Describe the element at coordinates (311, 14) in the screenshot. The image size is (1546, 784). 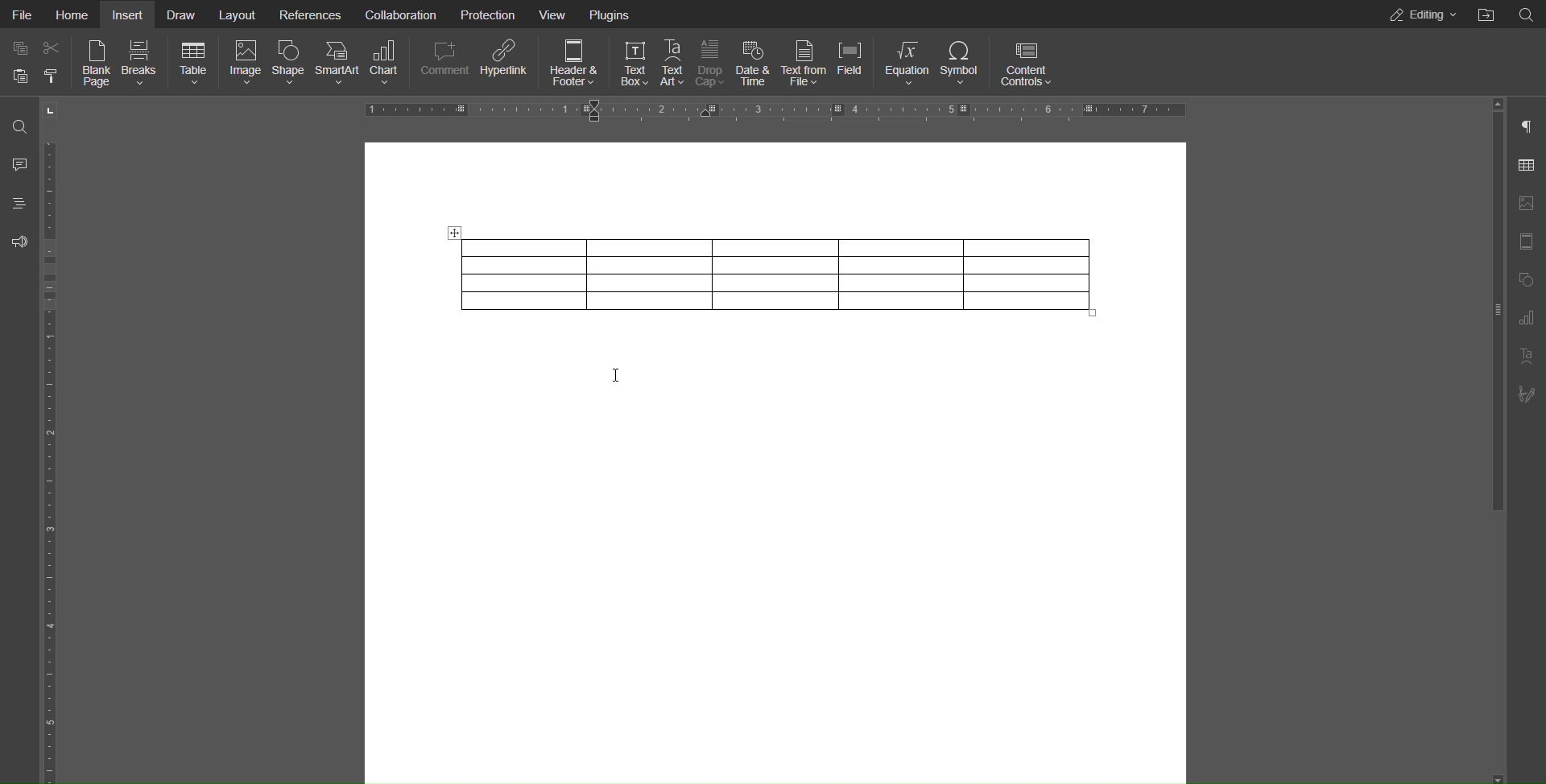
I see `References` at that location.